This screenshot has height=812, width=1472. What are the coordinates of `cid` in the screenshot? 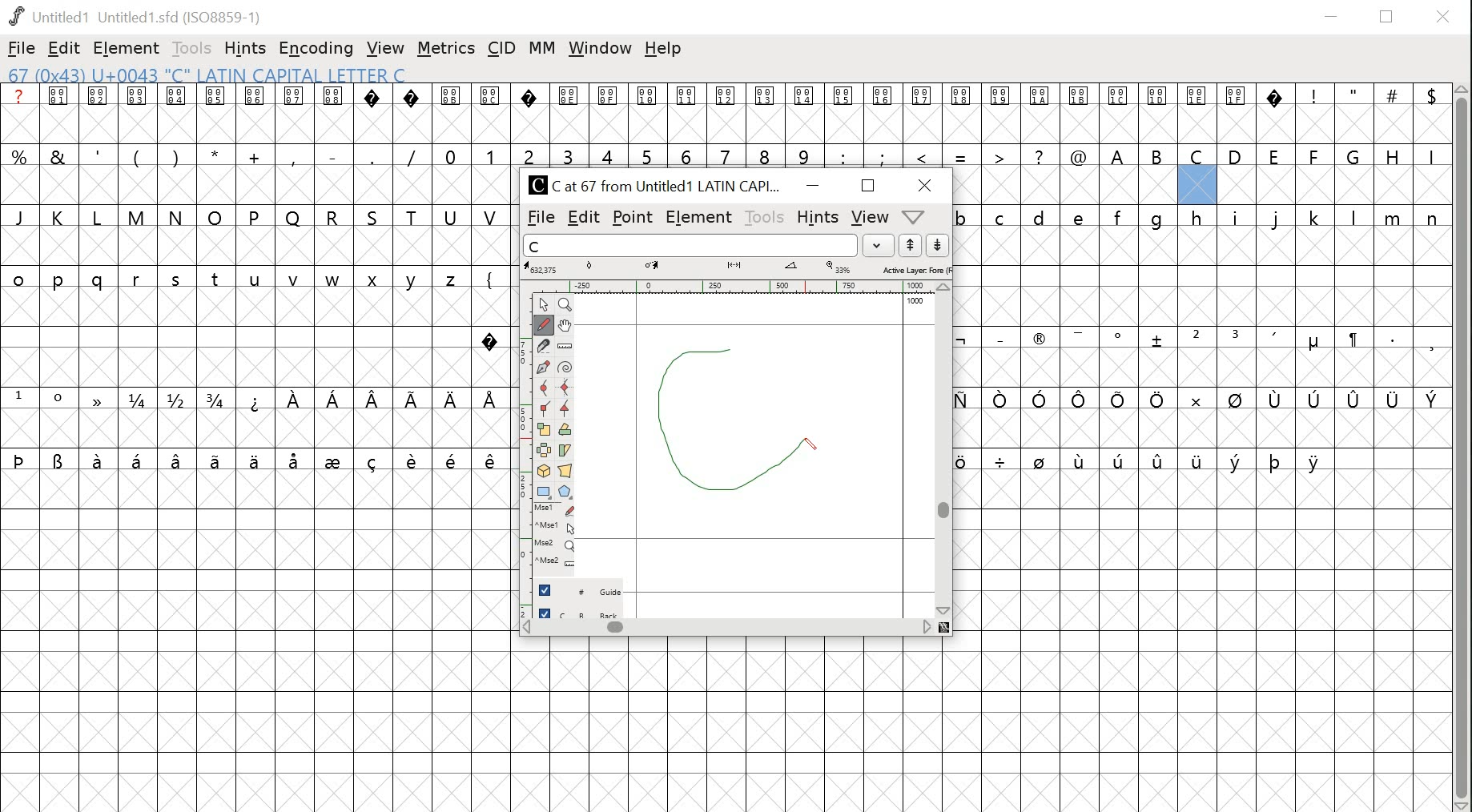 It's located at (501, 46).